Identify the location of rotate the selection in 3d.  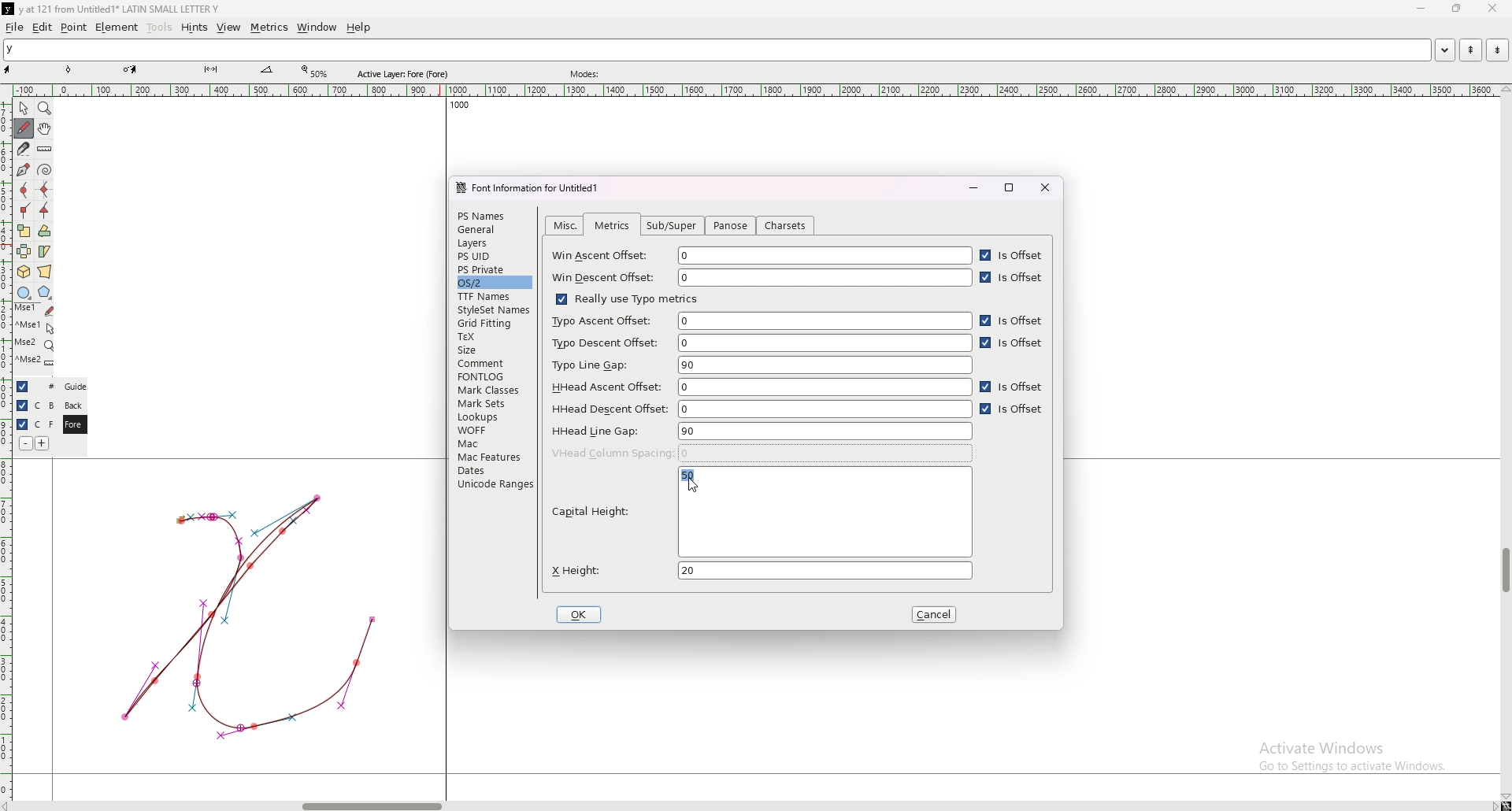
(24, 272).